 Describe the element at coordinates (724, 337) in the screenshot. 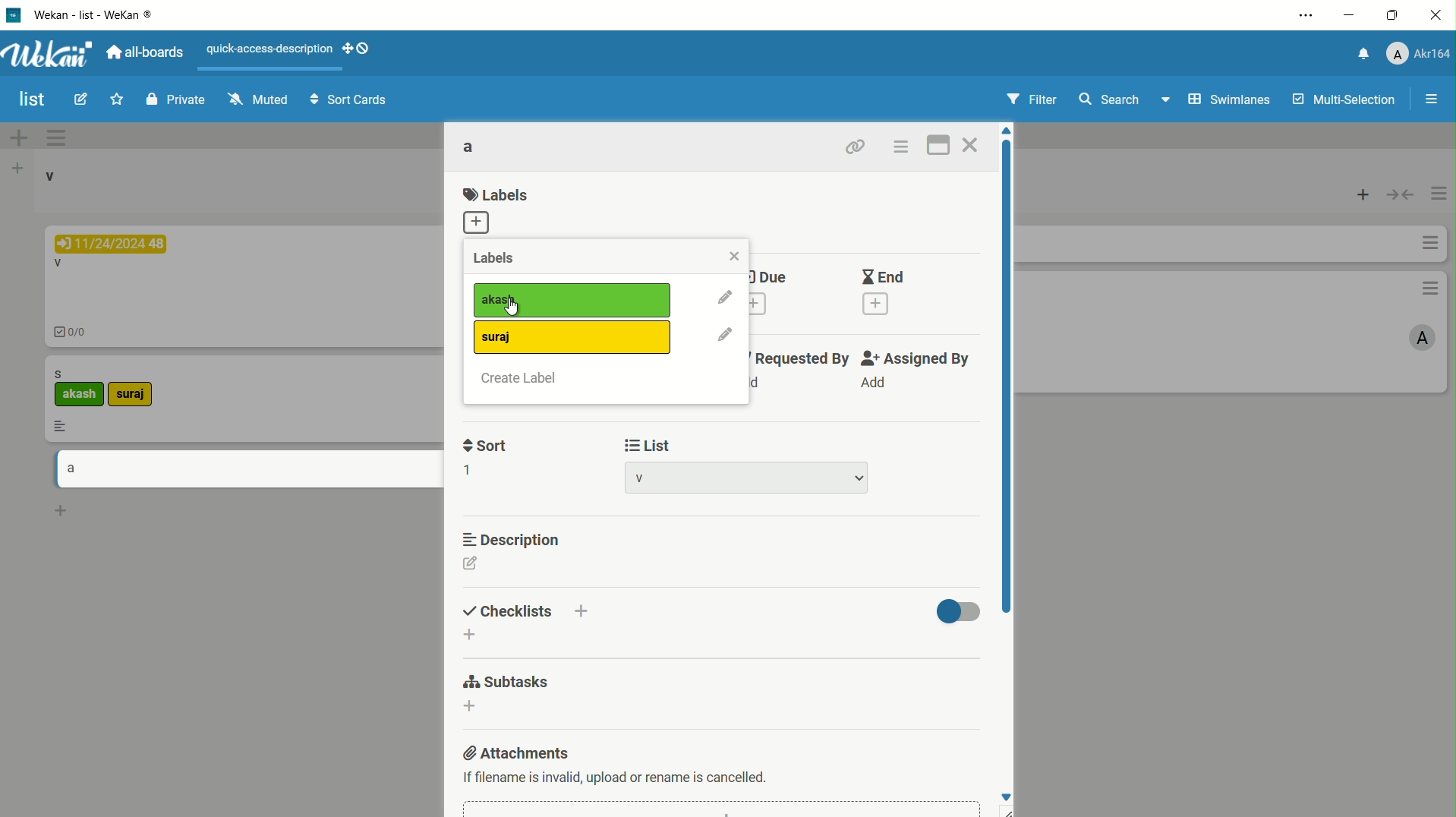

I see `edit` at that location.